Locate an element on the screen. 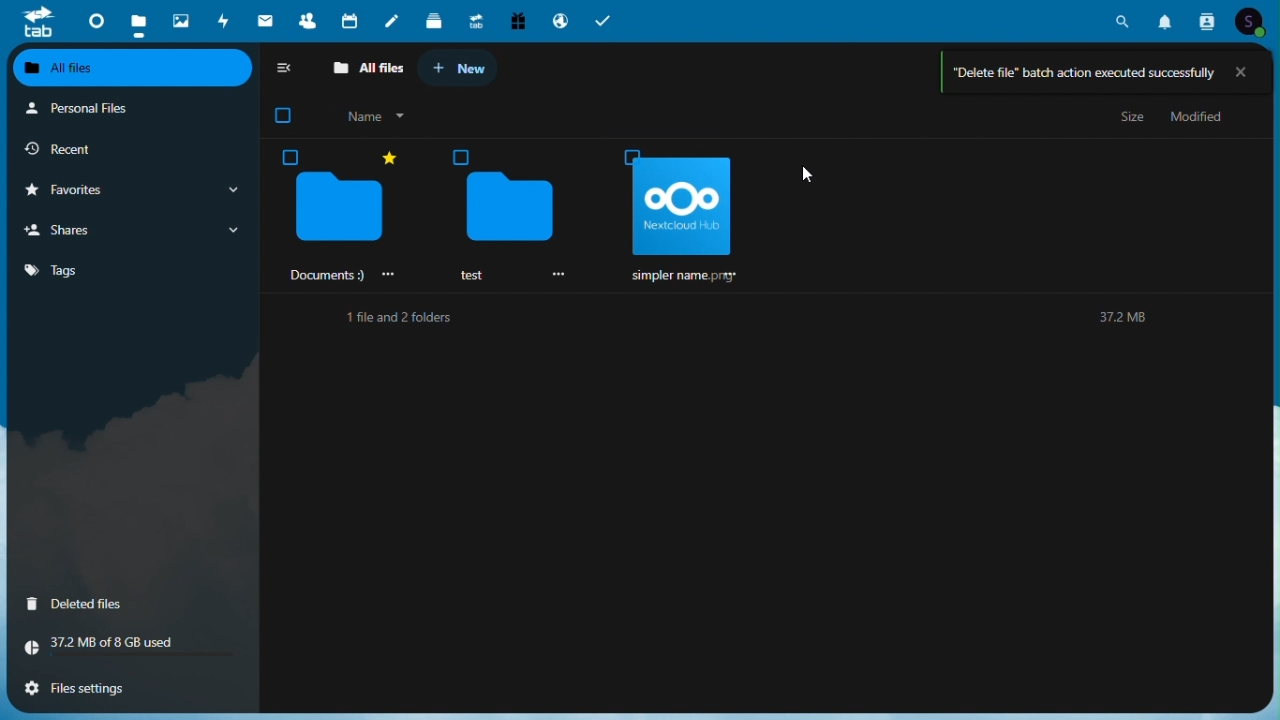 This screenshot has height=720, width=1280. Delete files is located at coordinates (123, 605).